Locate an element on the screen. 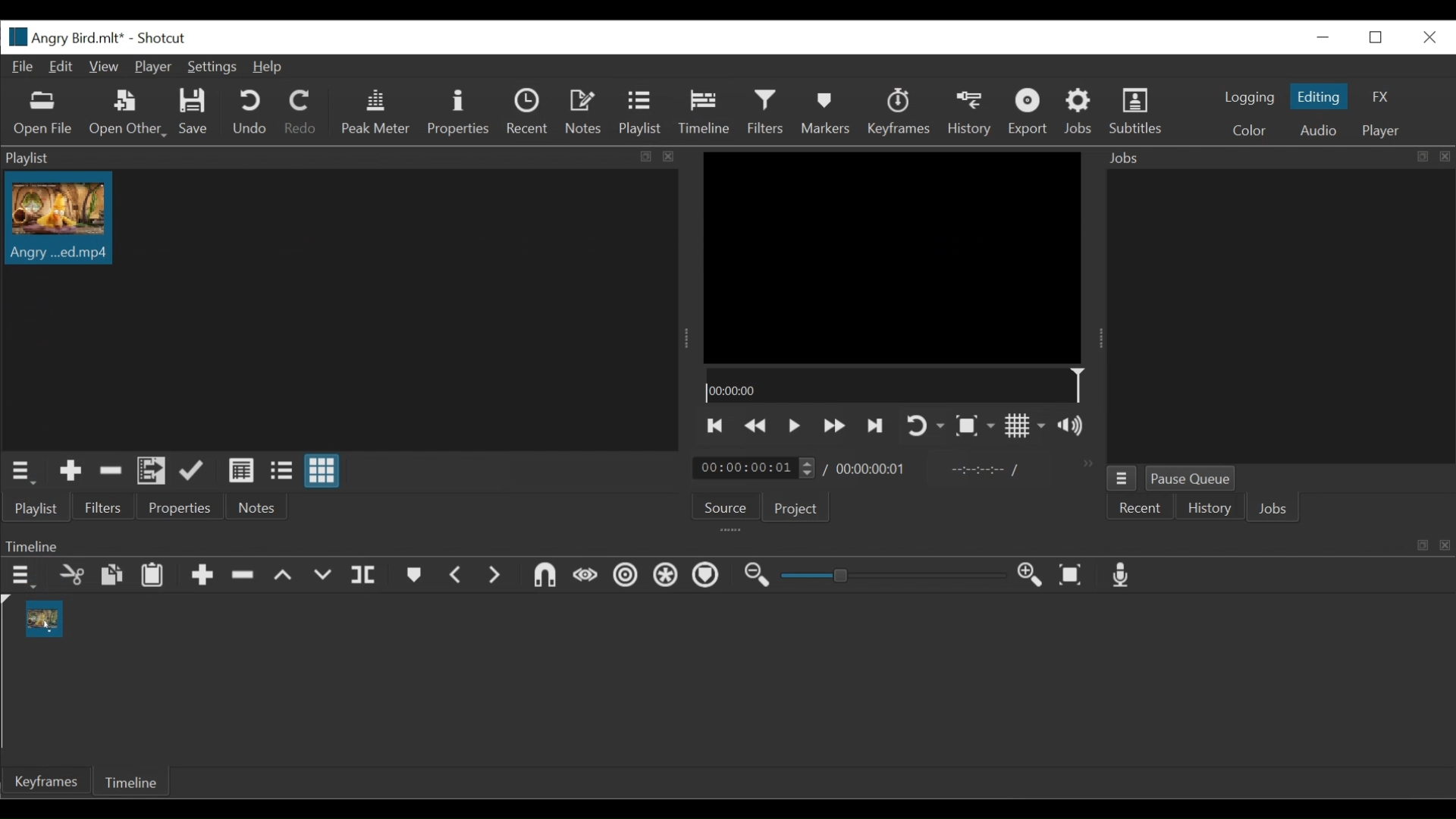 This screenshot has width=1456, height=819. Play quickly backward is located at coordinates (758, 426).